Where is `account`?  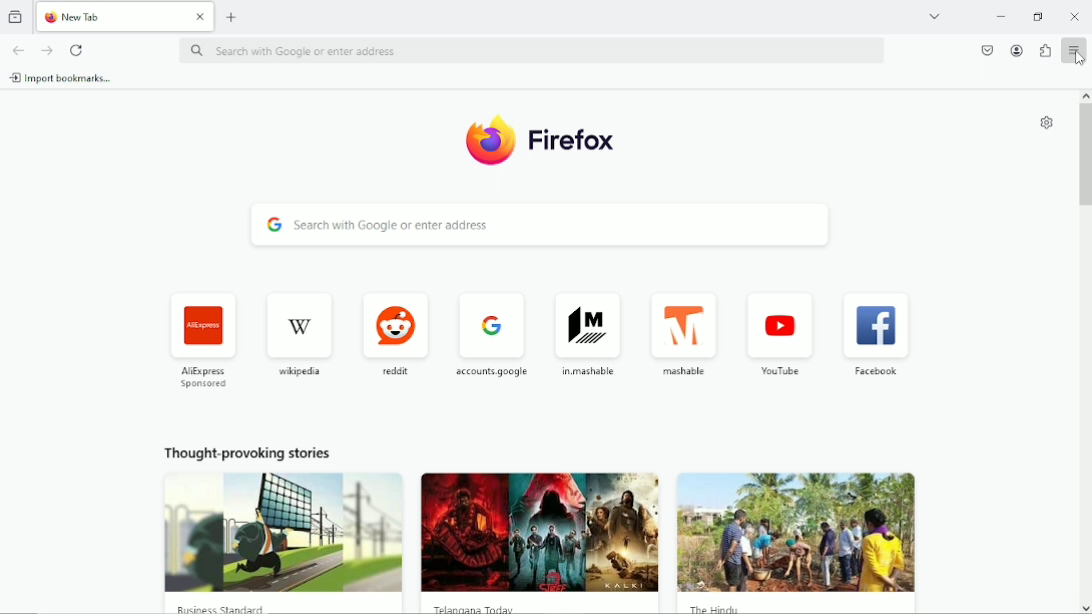
account is located at coordinates (1017, 50).